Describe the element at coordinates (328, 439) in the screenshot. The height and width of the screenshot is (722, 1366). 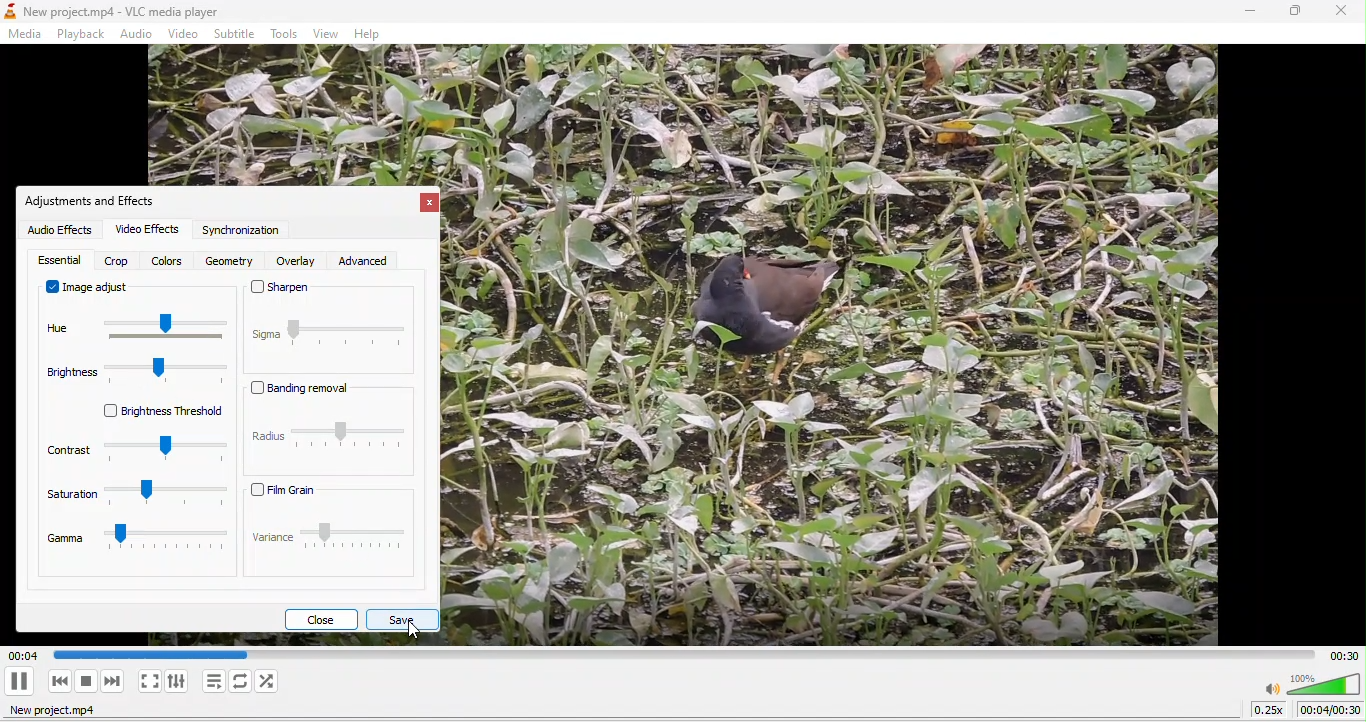
I see `radius` at that location.